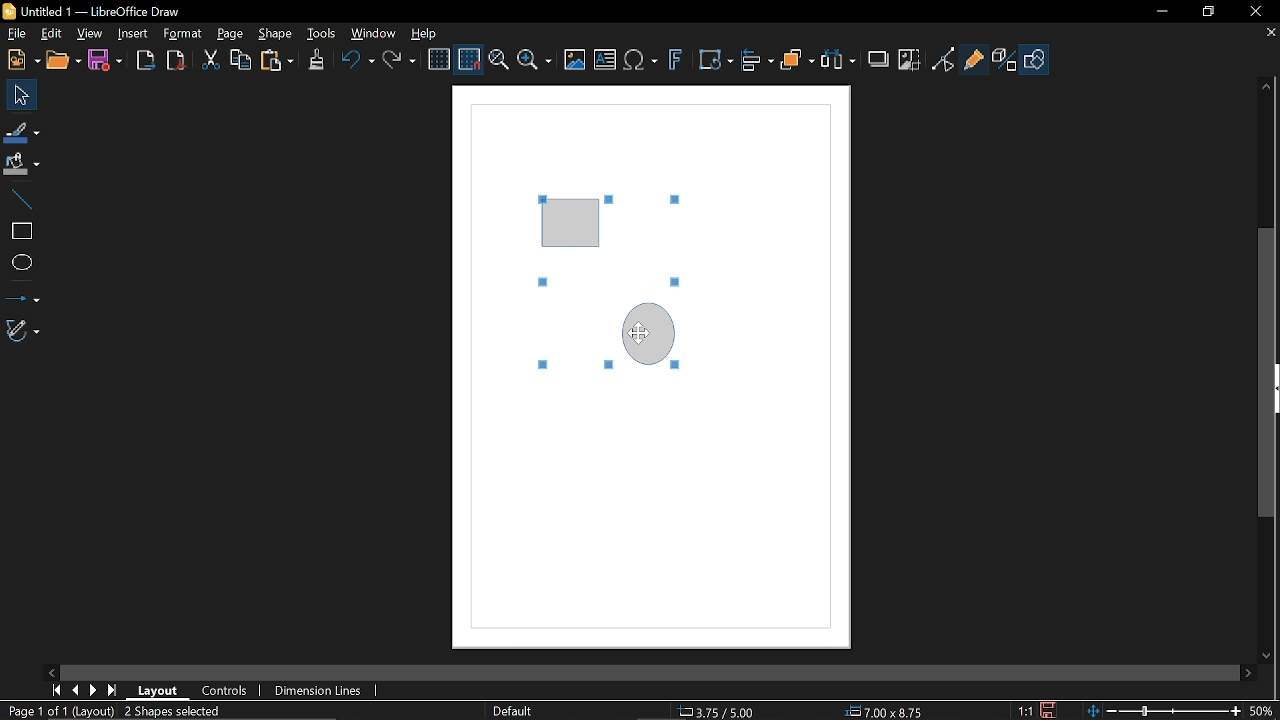 Image resolution: width=1280 pixels, height=720 pixels. Describe the element at coordinates (322, 34) in the screenshot. I see `Tools` at that location.